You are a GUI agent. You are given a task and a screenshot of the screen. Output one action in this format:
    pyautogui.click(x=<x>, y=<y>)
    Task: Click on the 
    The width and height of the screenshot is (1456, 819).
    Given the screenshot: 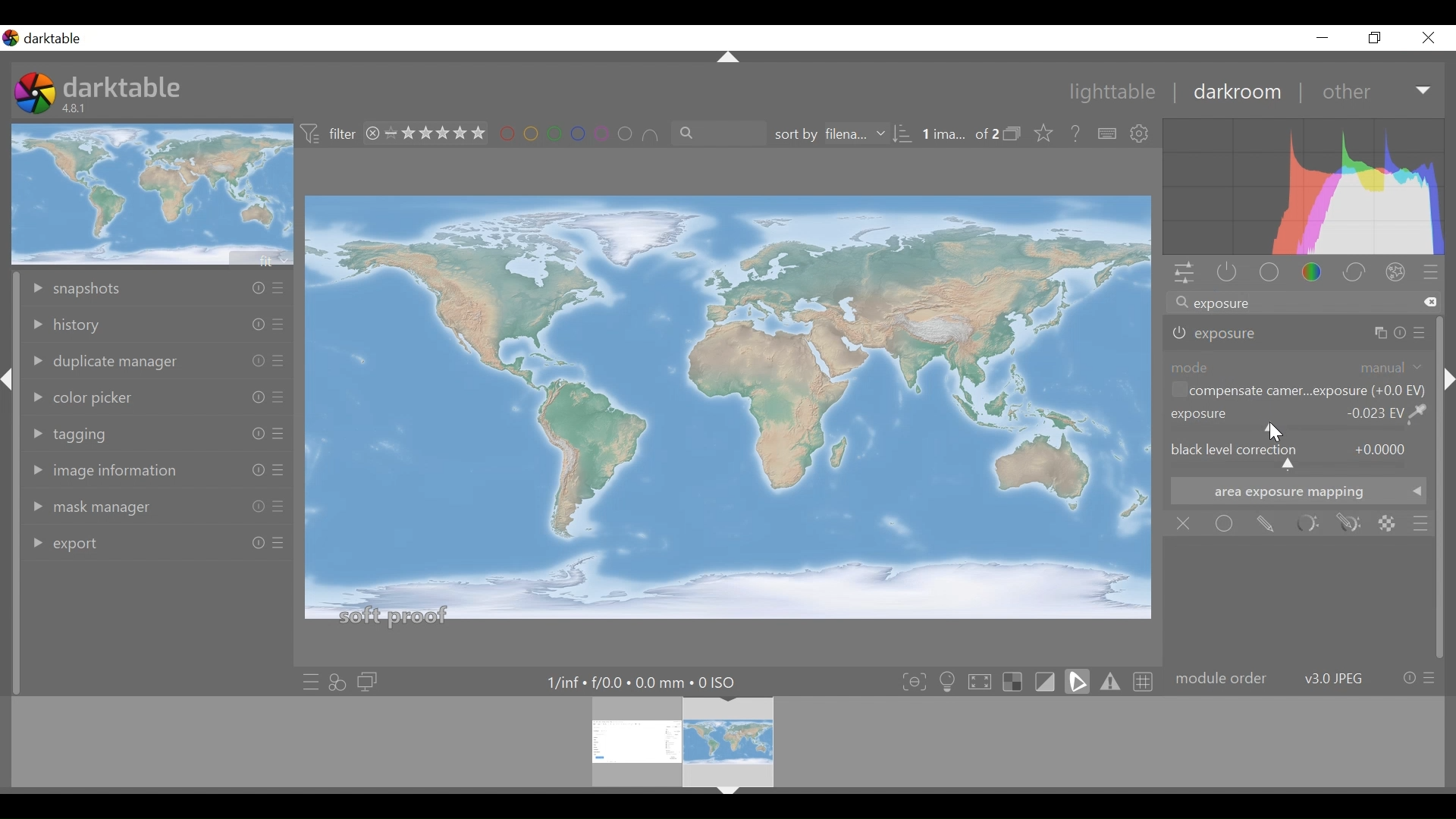 What is the action you would take?
    pyautogui.click(x=253, y=435)
    